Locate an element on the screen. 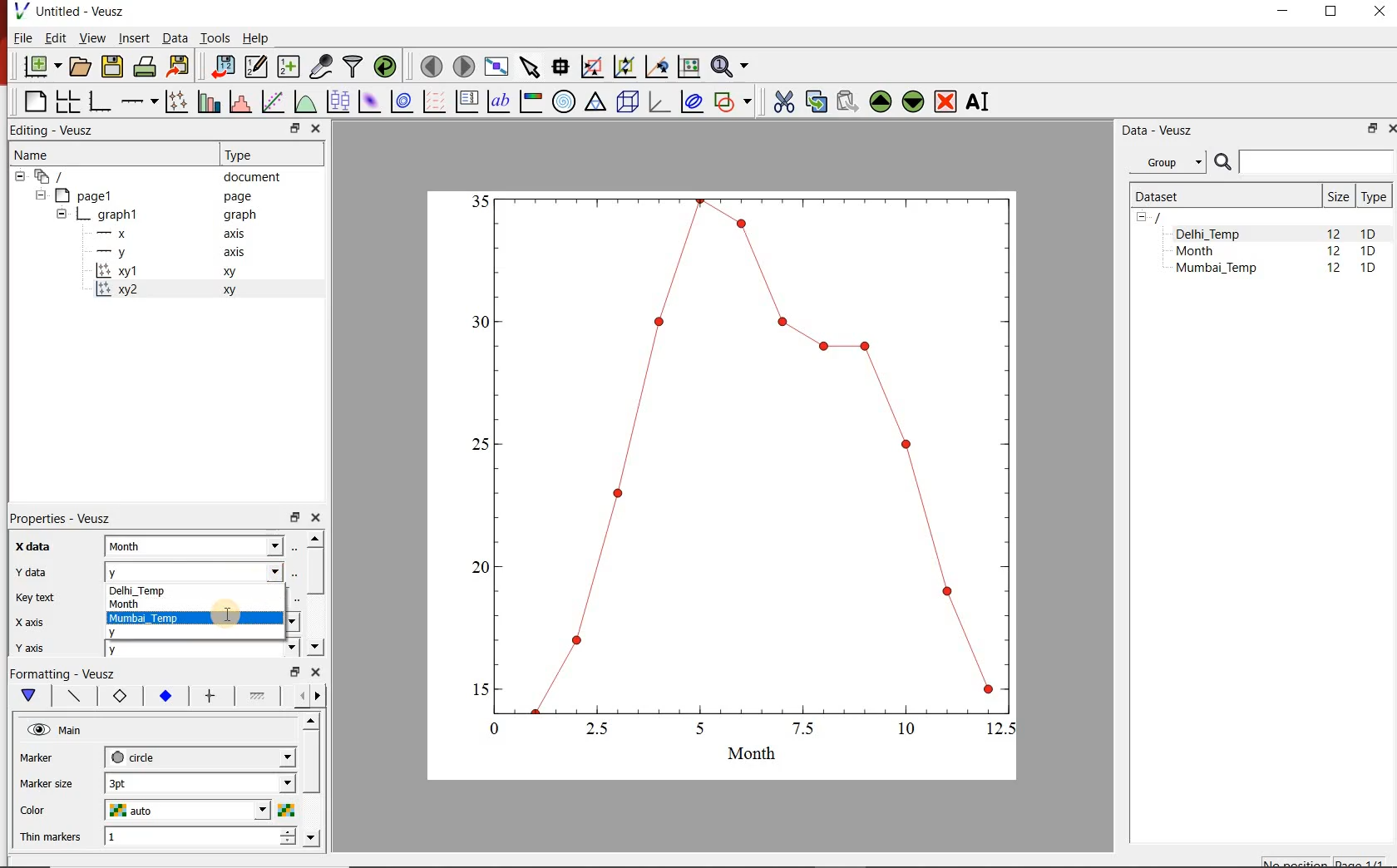  open a document is located at coordinates (79, 67).